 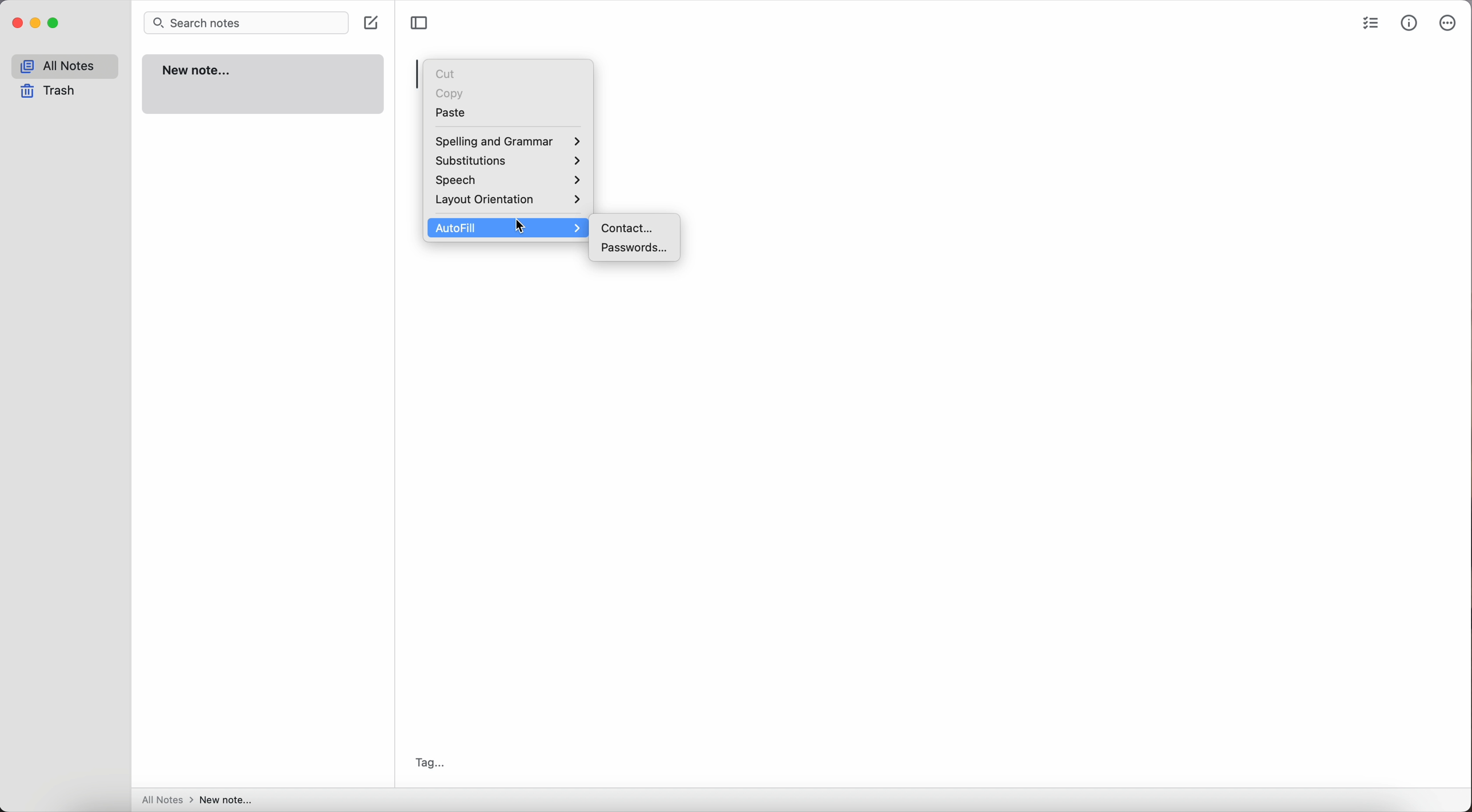 I want to click on substitutions, so click(x=509, y=163).